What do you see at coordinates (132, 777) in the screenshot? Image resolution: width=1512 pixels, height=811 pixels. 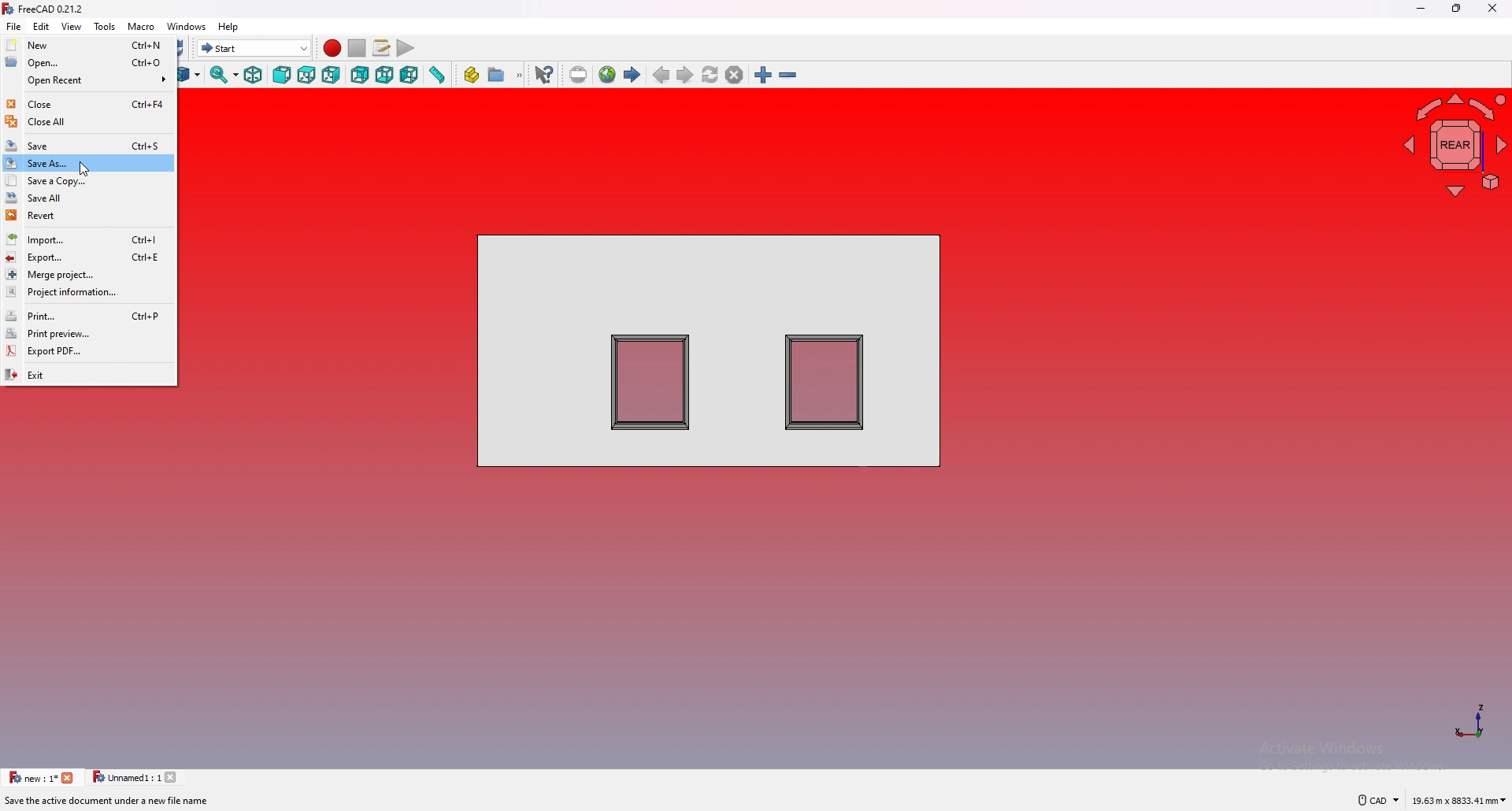 I see `tab 2` at bounding box center [132, 777].